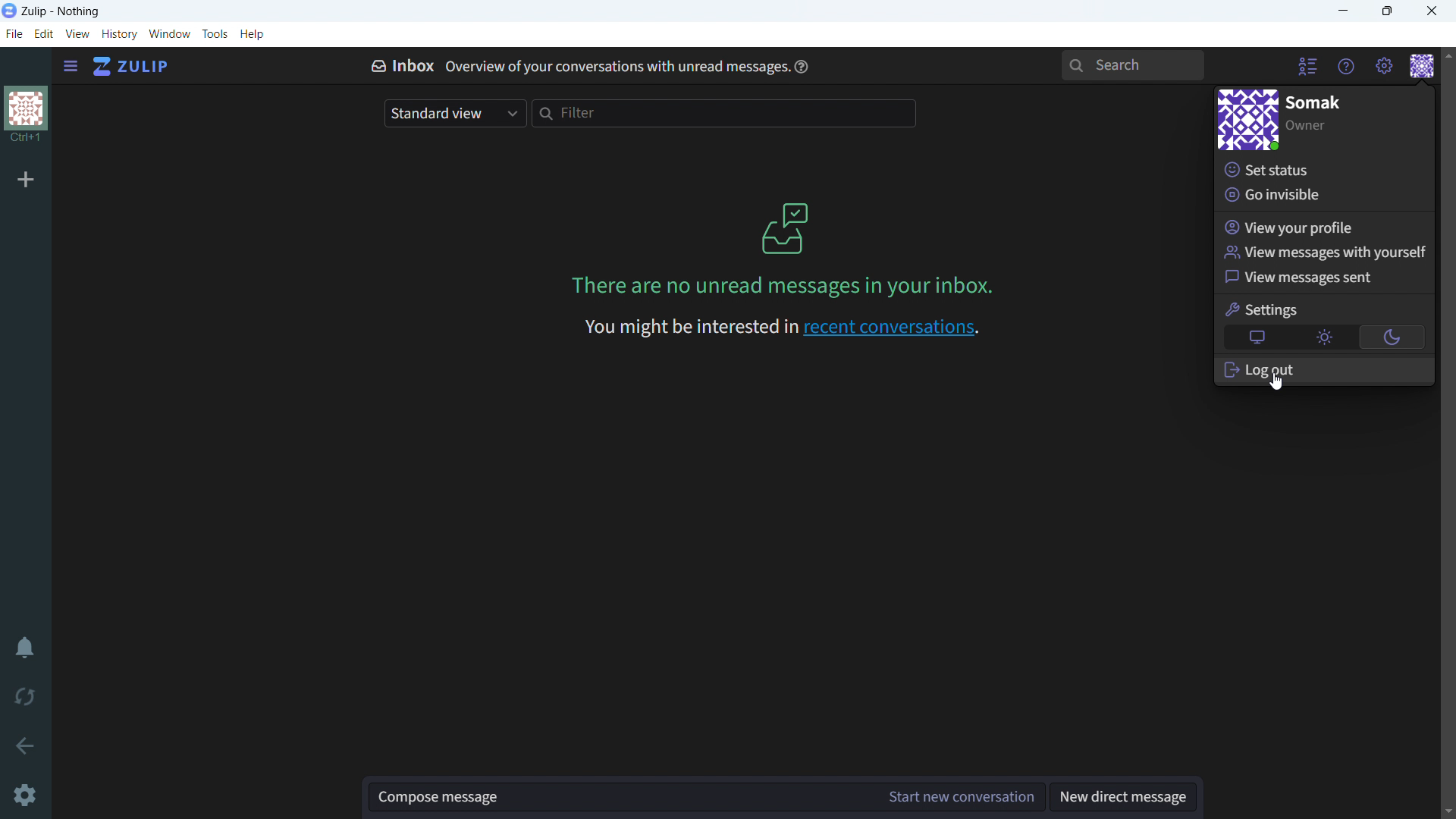 The image size is (1456, 819). Describe the element at coordinates (1307, 67) in the screenshot. I see `hide all users` at that location.